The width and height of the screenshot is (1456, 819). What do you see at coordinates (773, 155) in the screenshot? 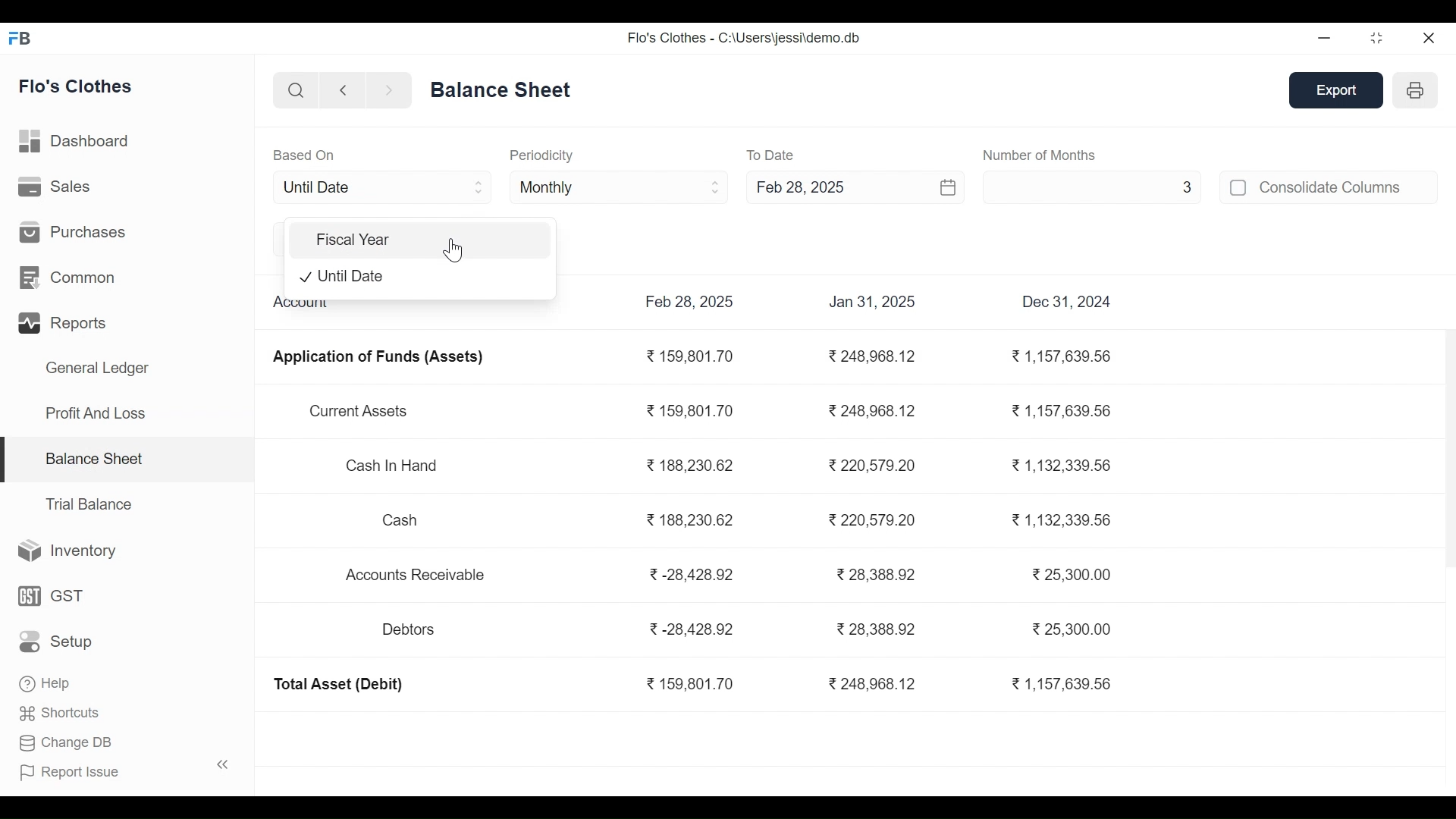
I see `To Date` at bounding box center [773, 155].